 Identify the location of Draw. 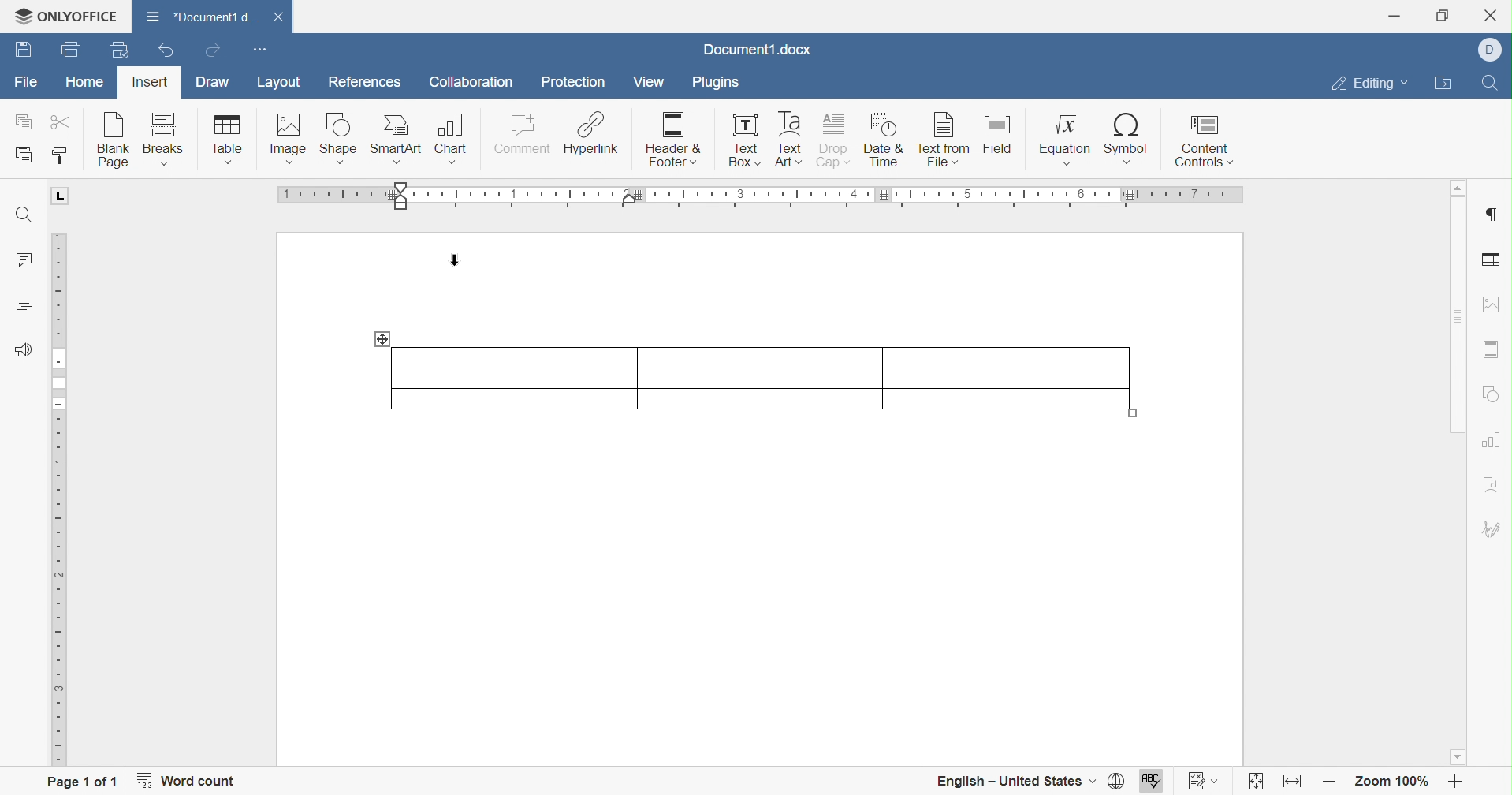
(212, 84).